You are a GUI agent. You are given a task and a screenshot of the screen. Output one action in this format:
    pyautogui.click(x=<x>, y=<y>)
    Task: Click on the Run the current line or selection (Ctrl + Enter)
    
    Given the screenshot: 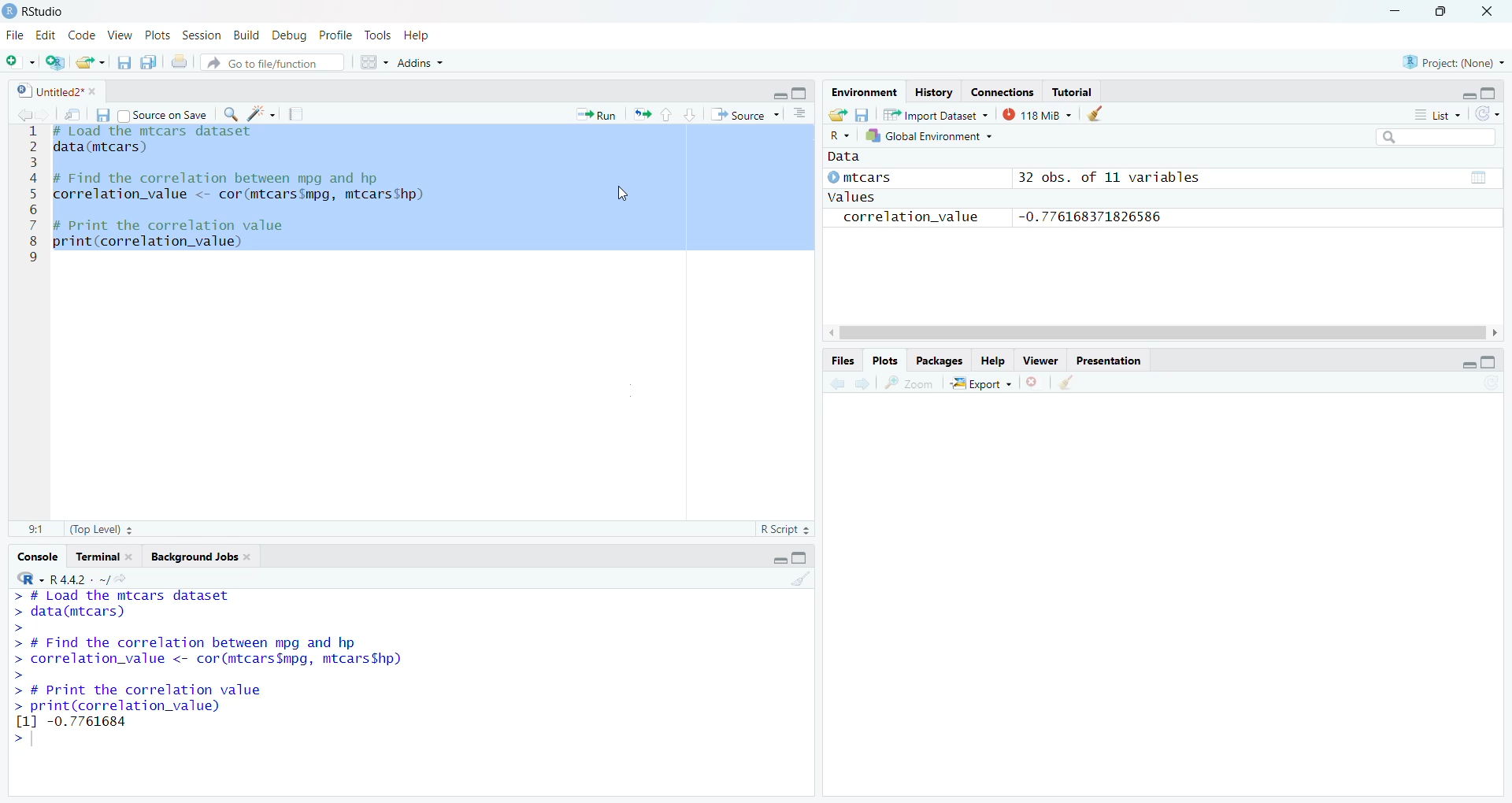 What is the action you would take?
    pyautogui.click(x=598, y=113)
    